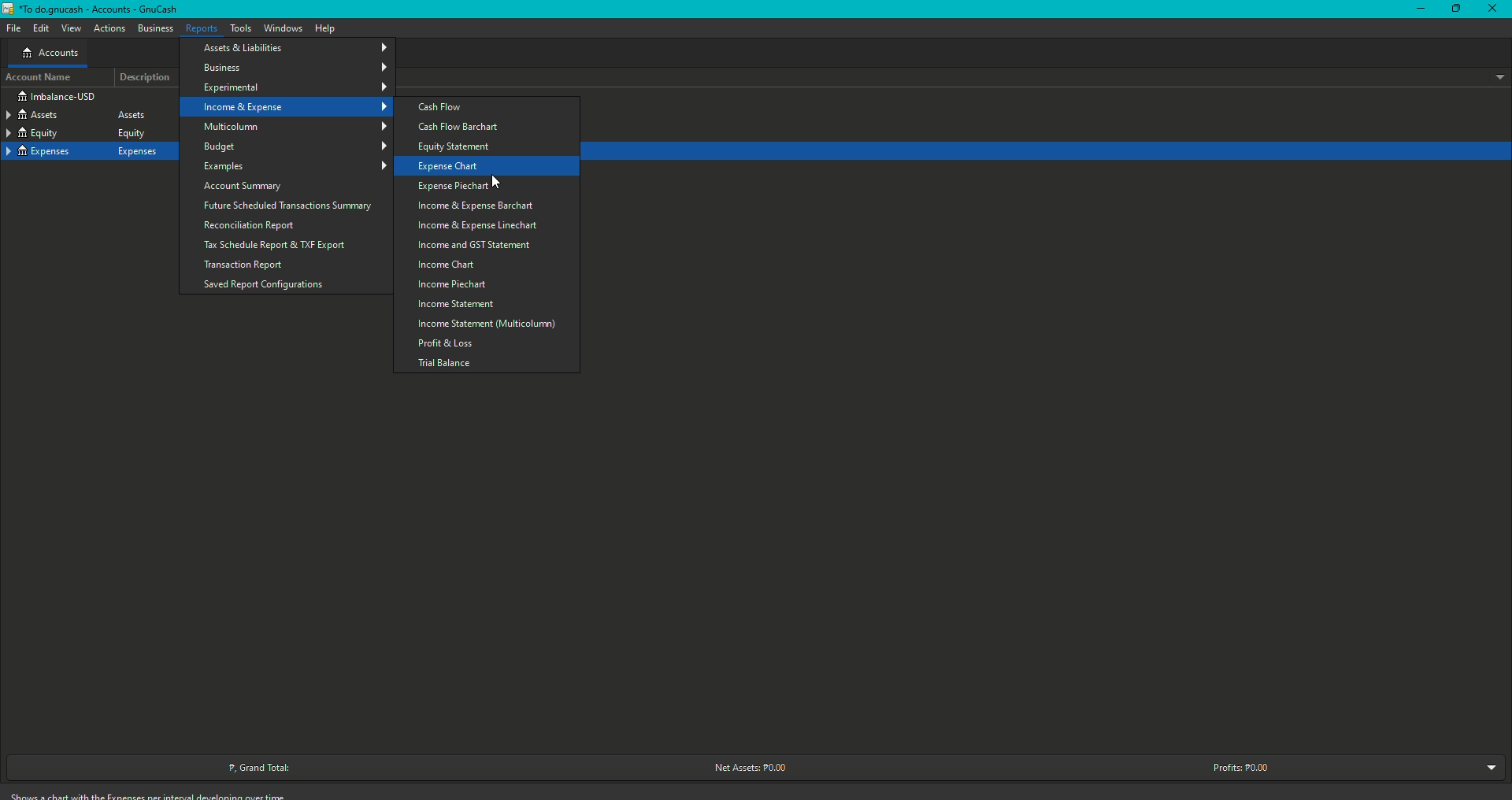 Image resolution: width=1512 pixels, height=800 pixels. Describe the element at coordinates (57, 96) in the screenshot. I see `Imbalance` at that location.